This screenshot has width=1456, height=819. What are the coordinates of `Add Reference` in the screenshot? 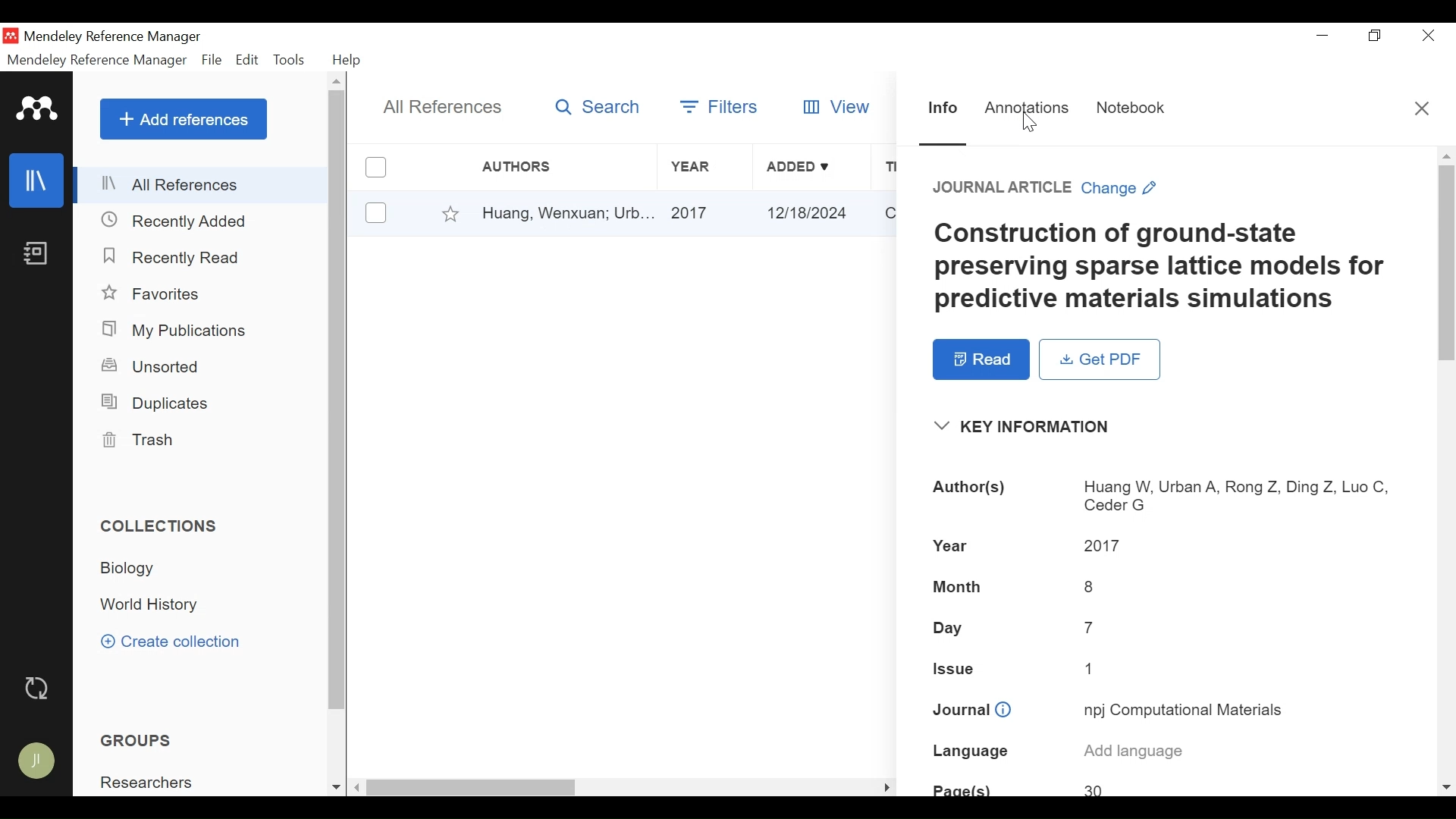 It's located at (185, 119).